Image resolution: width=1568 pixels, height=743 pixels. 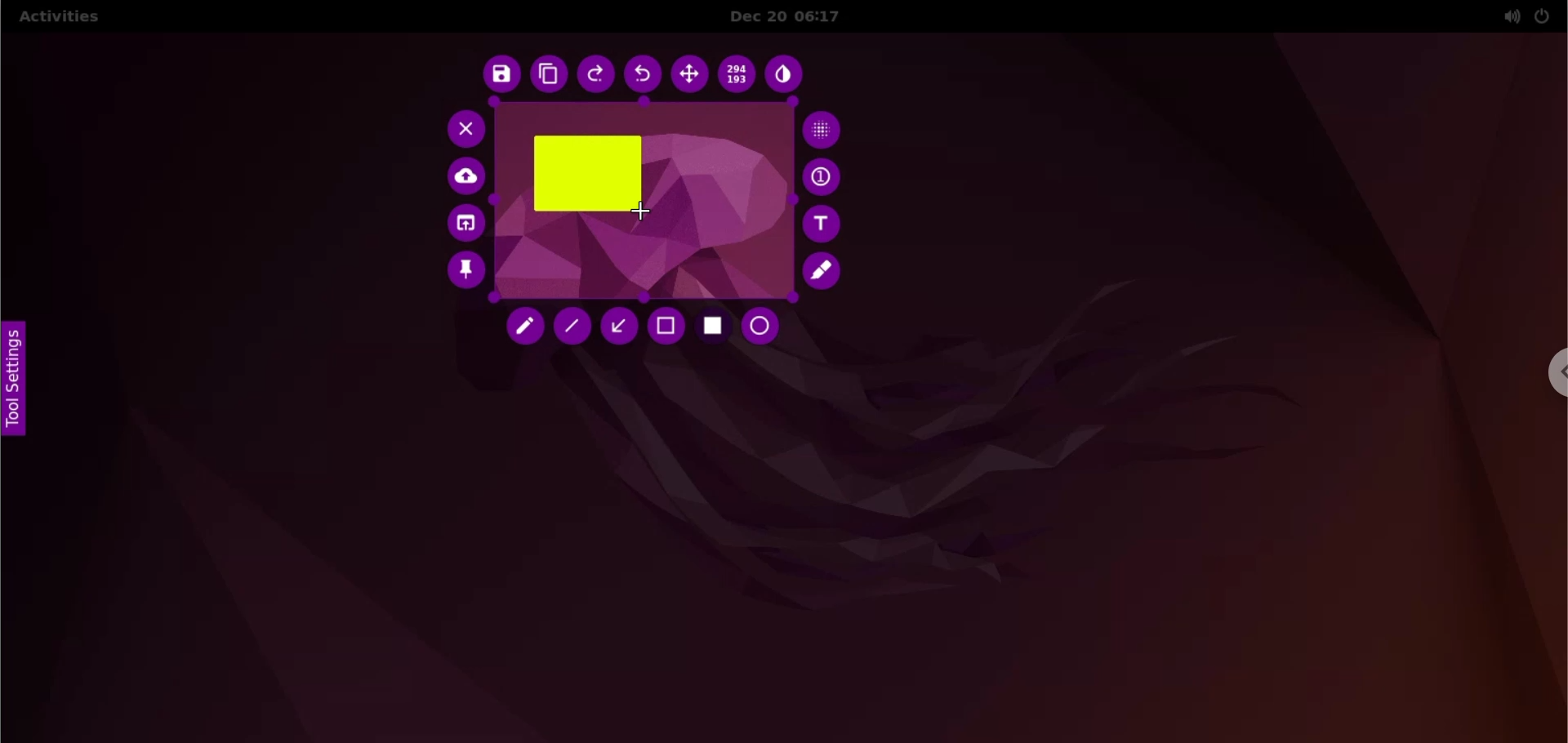 I want to click on marker, so click(x=825, y=271).